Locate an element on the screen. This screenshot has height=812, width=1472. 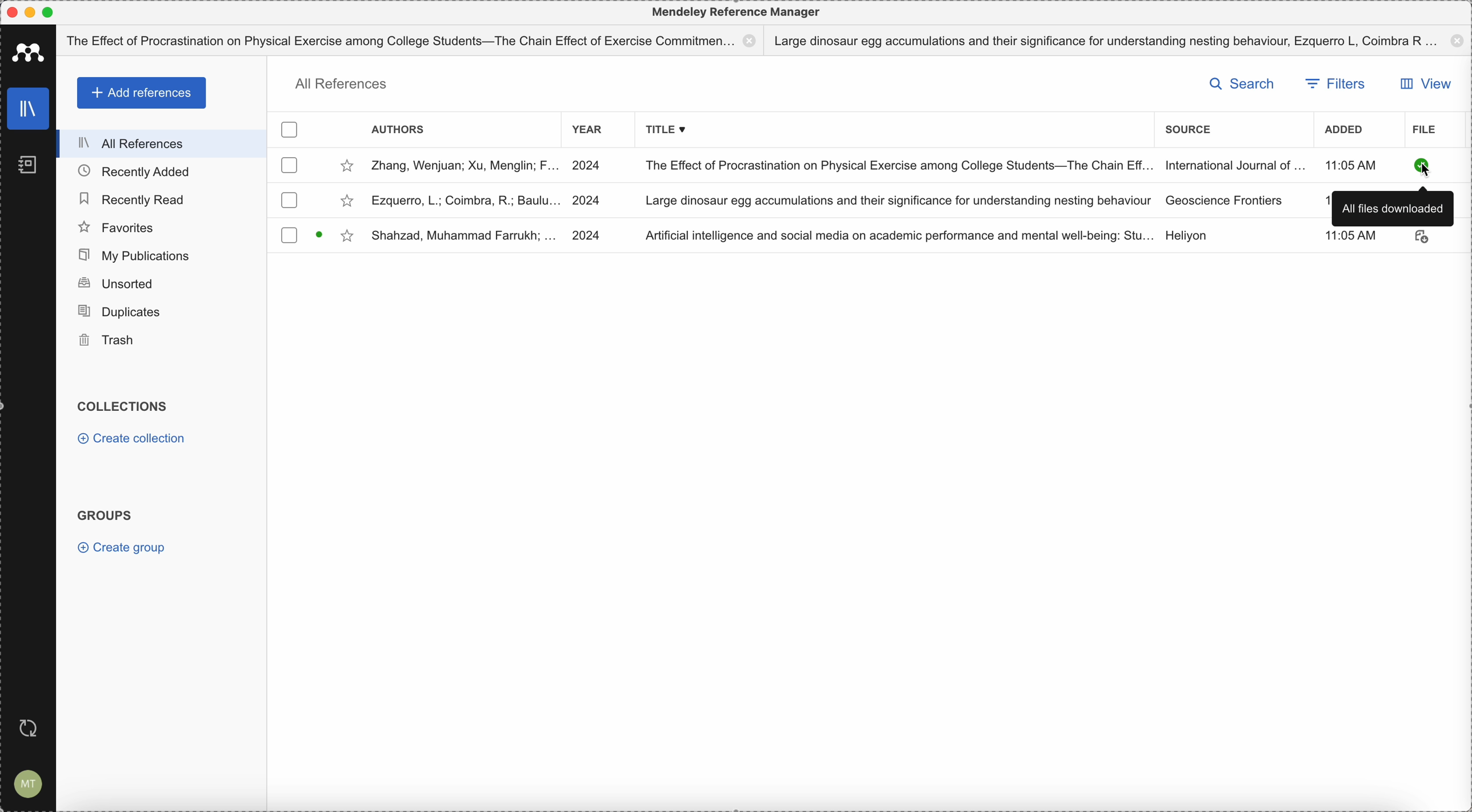
Zhan, Wenjuan; Xu, Menglin is located at coordinates (466, 165).